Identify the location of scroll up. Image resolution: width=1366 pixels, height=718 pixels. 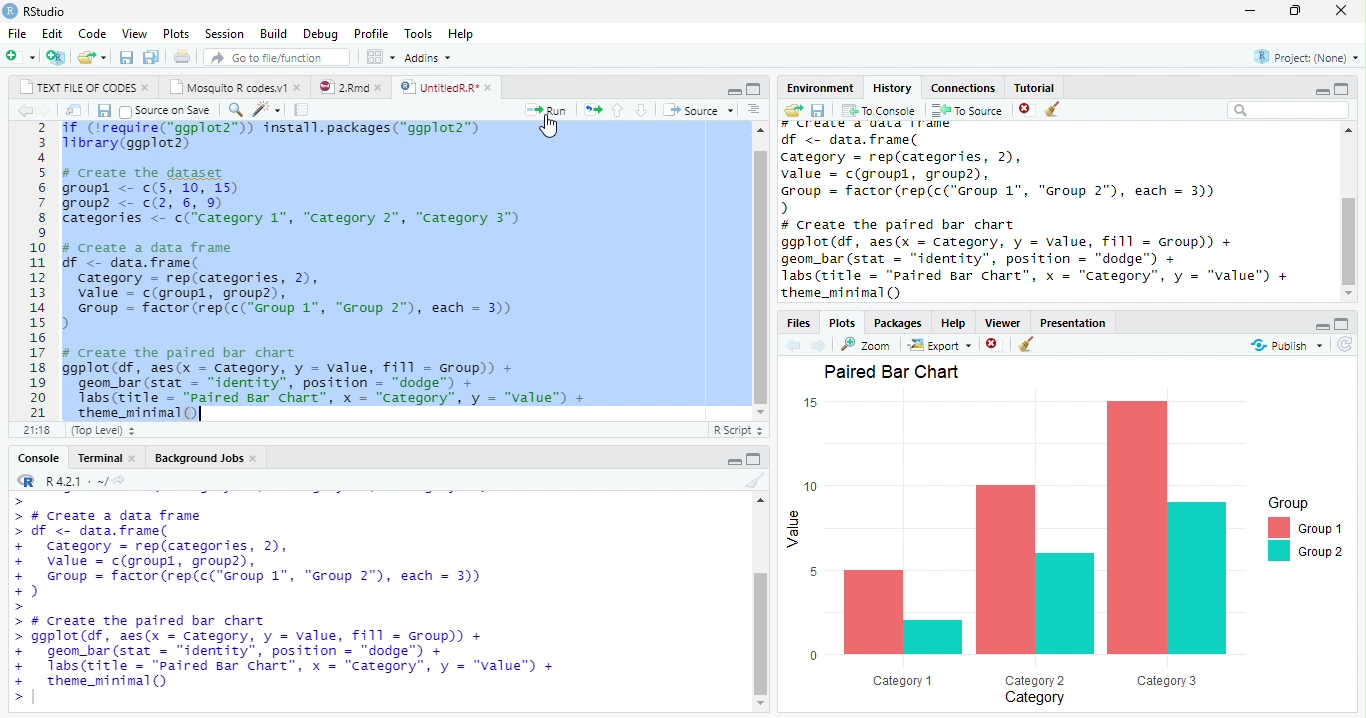
(761, 130).